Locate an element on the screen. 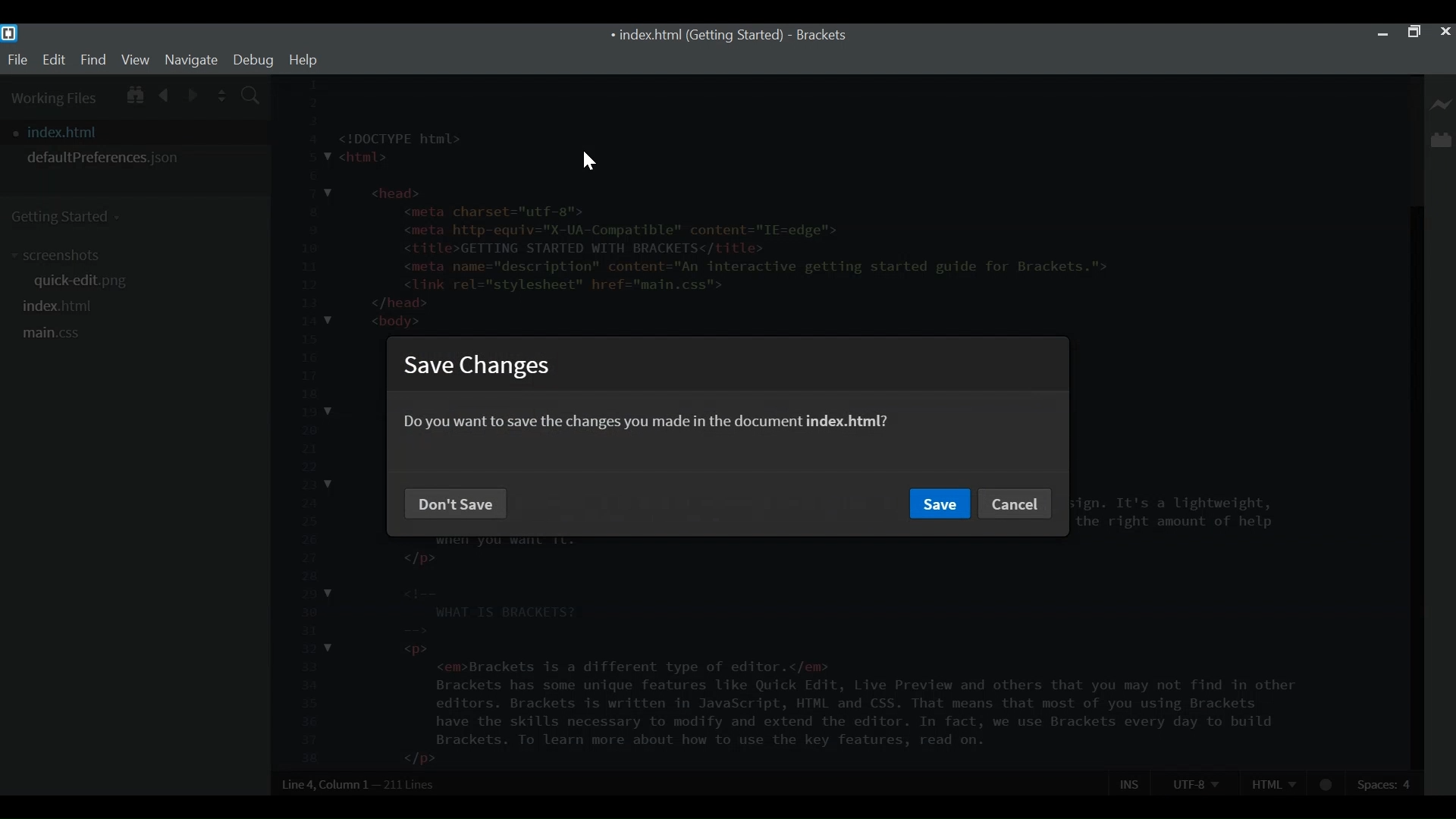 Image resolution: width=1456 pixels, height=819 pixels. UTF-8 is located at coordinates (1195, 783).